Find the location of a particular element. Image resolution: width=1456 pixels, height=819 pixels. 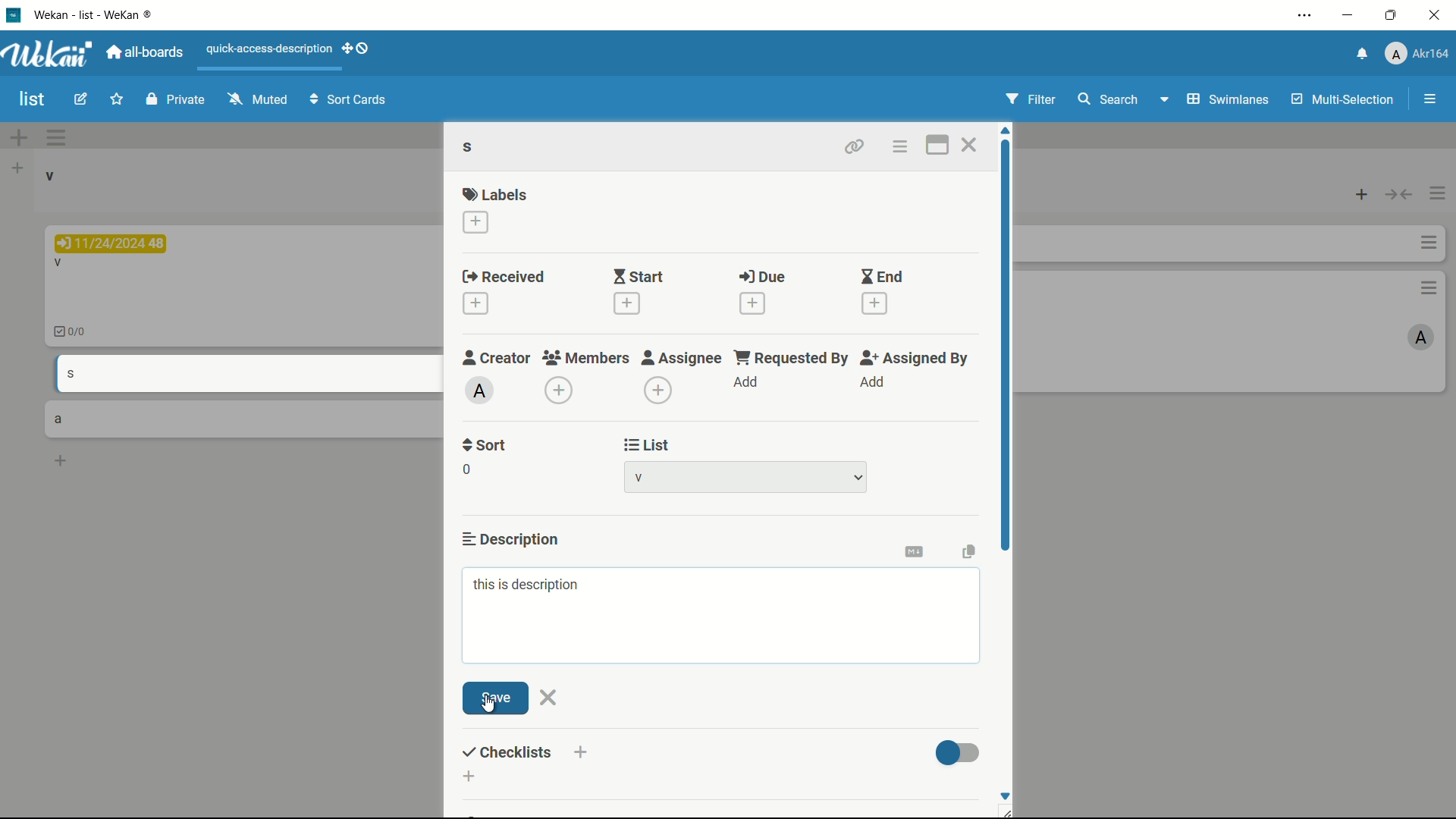

notifications is located at coordinates (1361, 55).